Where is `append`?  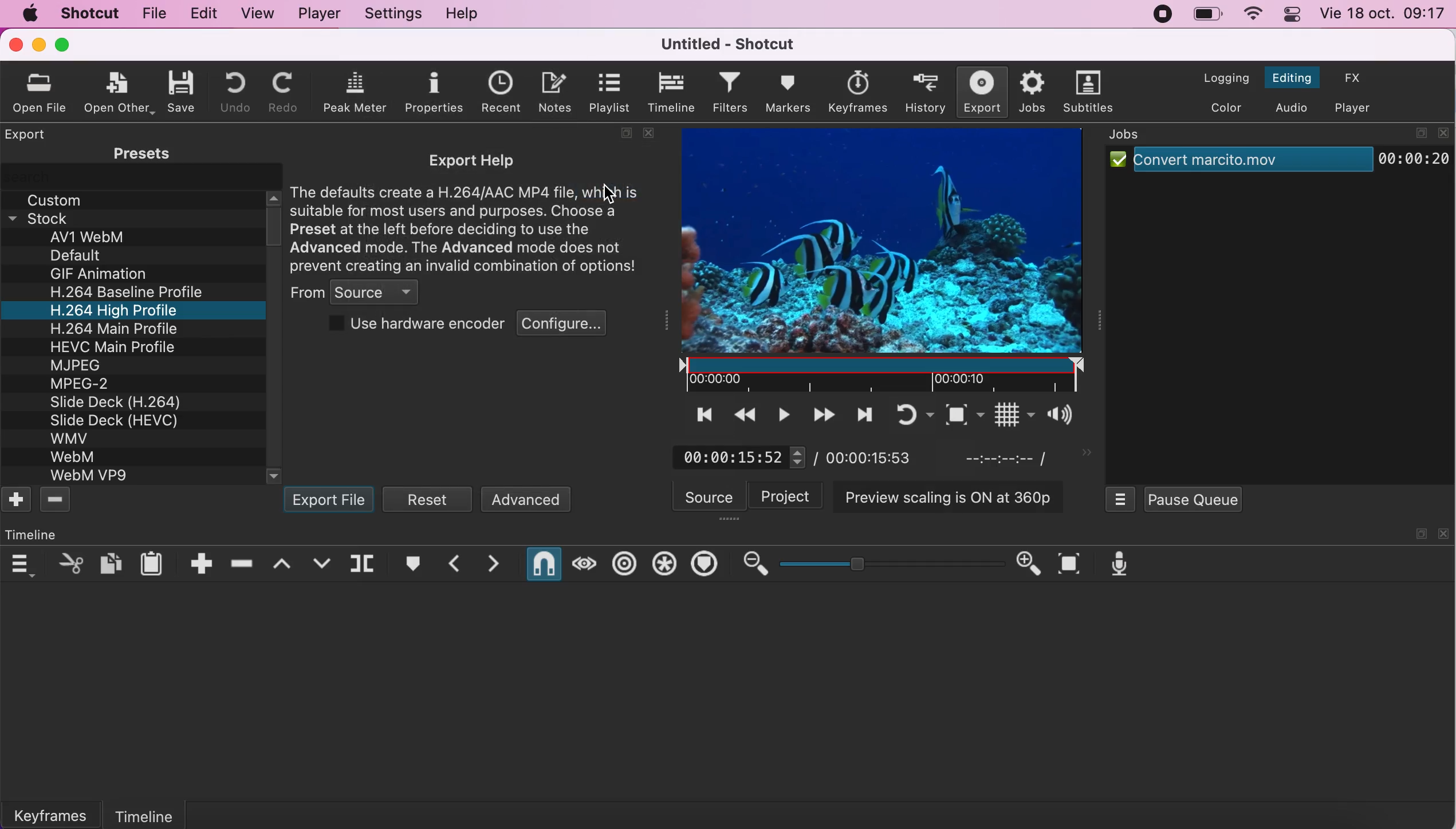 append is located at coordinates (200, 563).